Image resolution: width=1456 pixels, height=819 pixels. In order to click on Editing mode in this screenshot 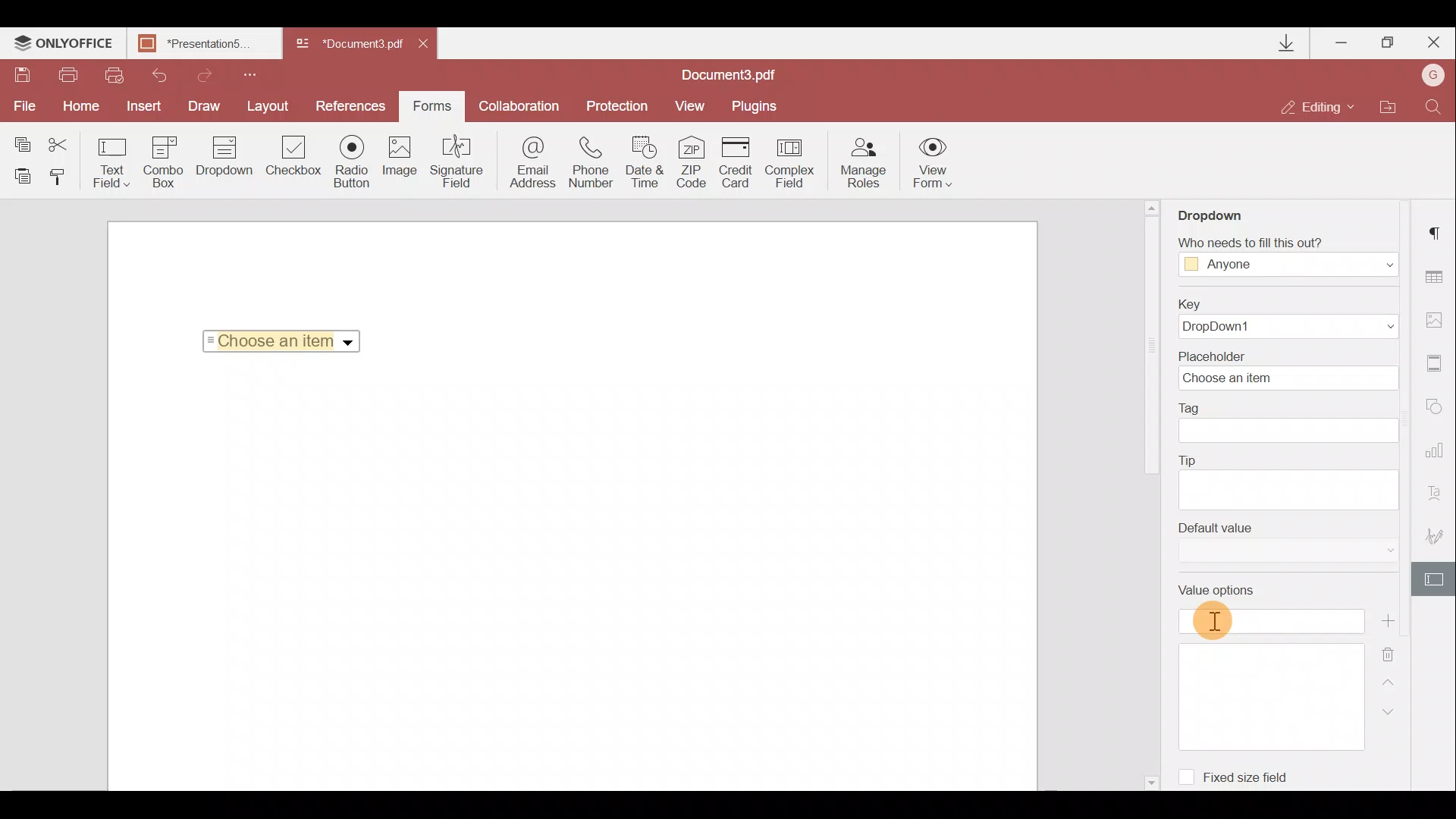, I will do `click(1318, 106)`.